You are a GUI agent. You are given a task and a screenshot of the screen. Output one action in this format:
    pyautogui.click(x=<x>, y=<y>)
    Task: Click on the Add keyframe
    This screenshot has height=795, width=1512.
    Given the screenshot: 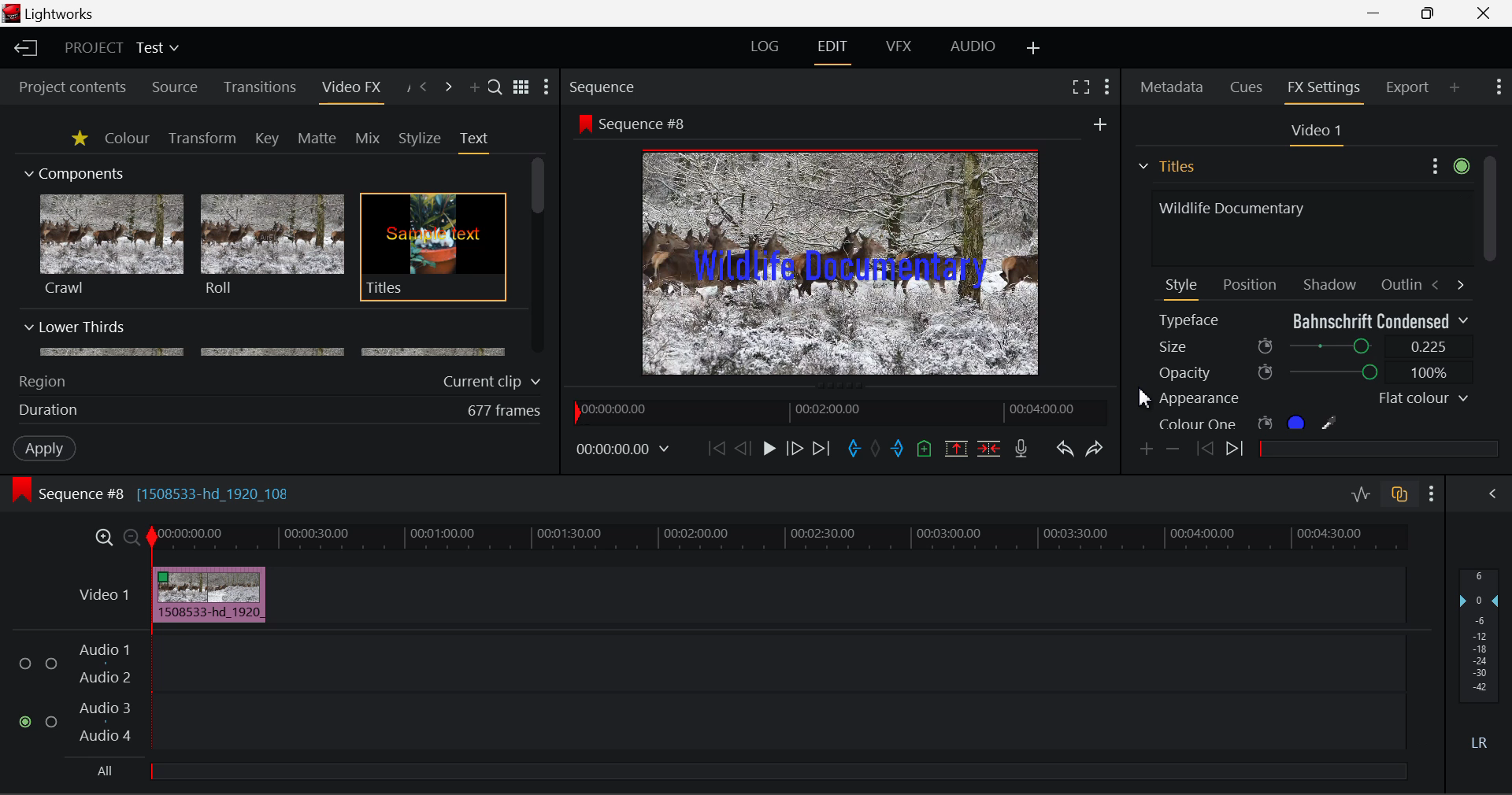 What is the action you would take?
    pyautogui.click(x=1148, y=450)
    